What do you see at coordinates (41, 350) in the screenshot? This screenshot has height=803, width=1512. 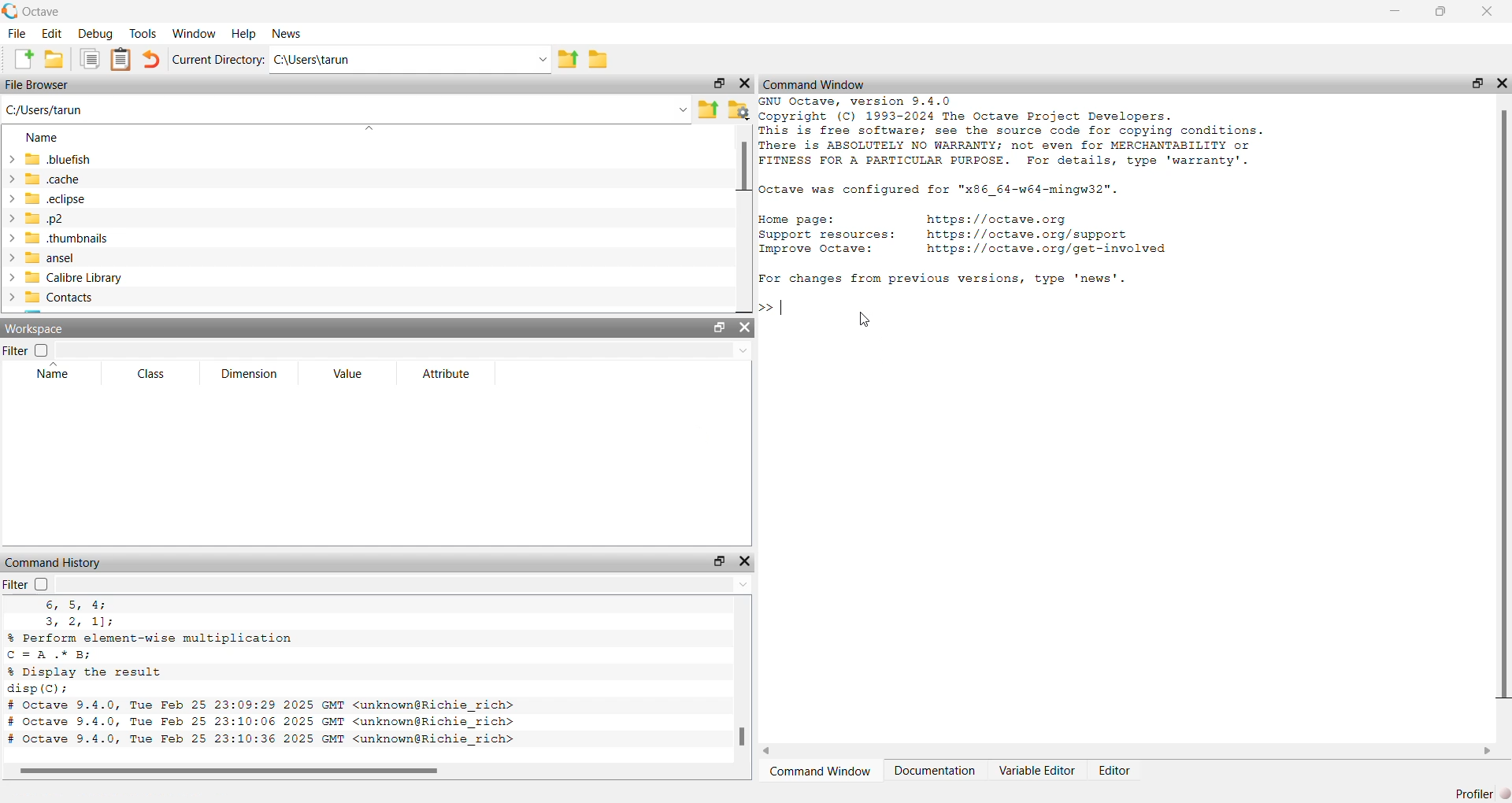 I see `Checkbox` at bounding box center [41, 350].